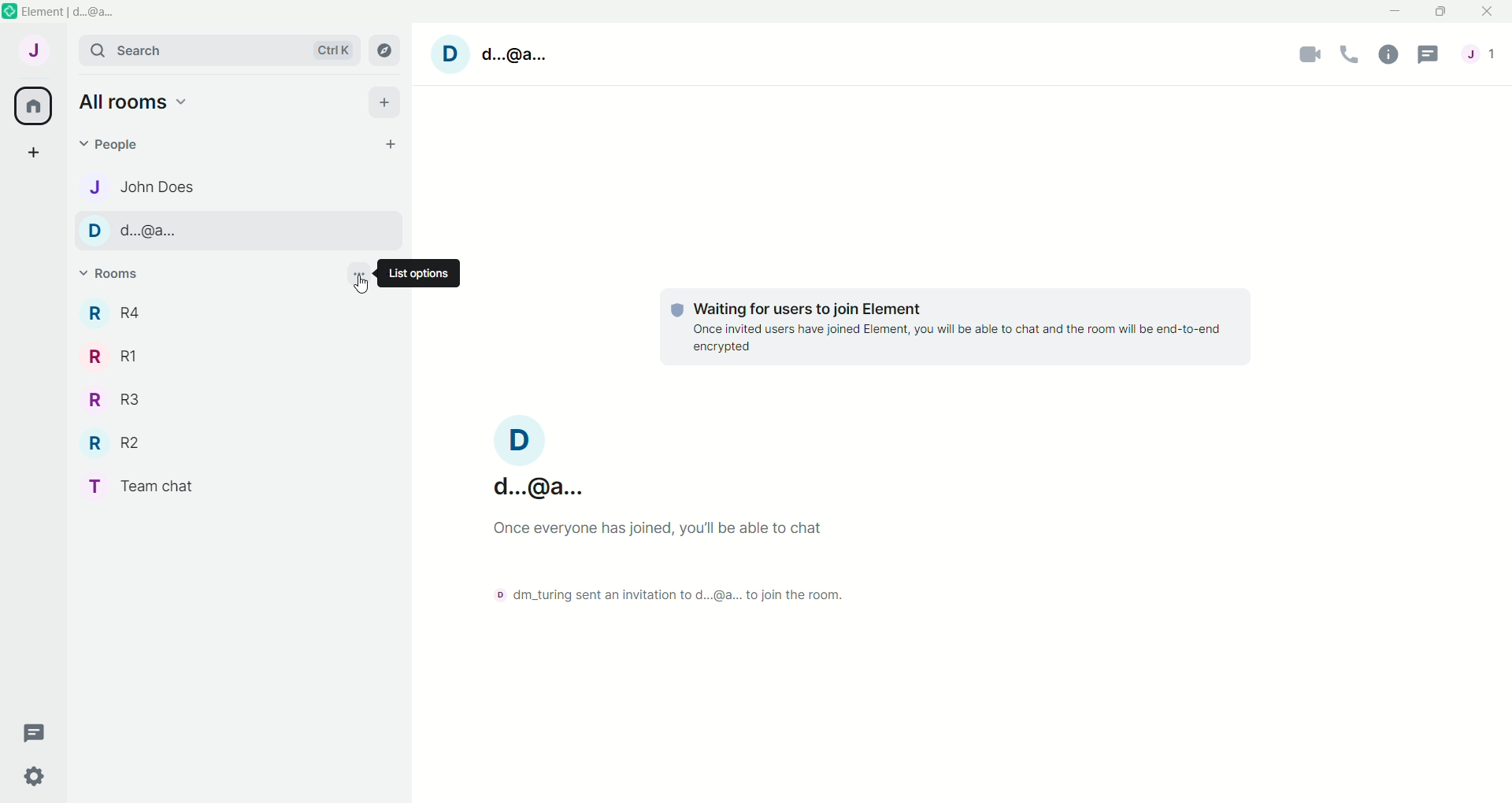  What do you see at coordinates (139, 144) in the screenshot?
I see `People` at bounding box center [139, 144].